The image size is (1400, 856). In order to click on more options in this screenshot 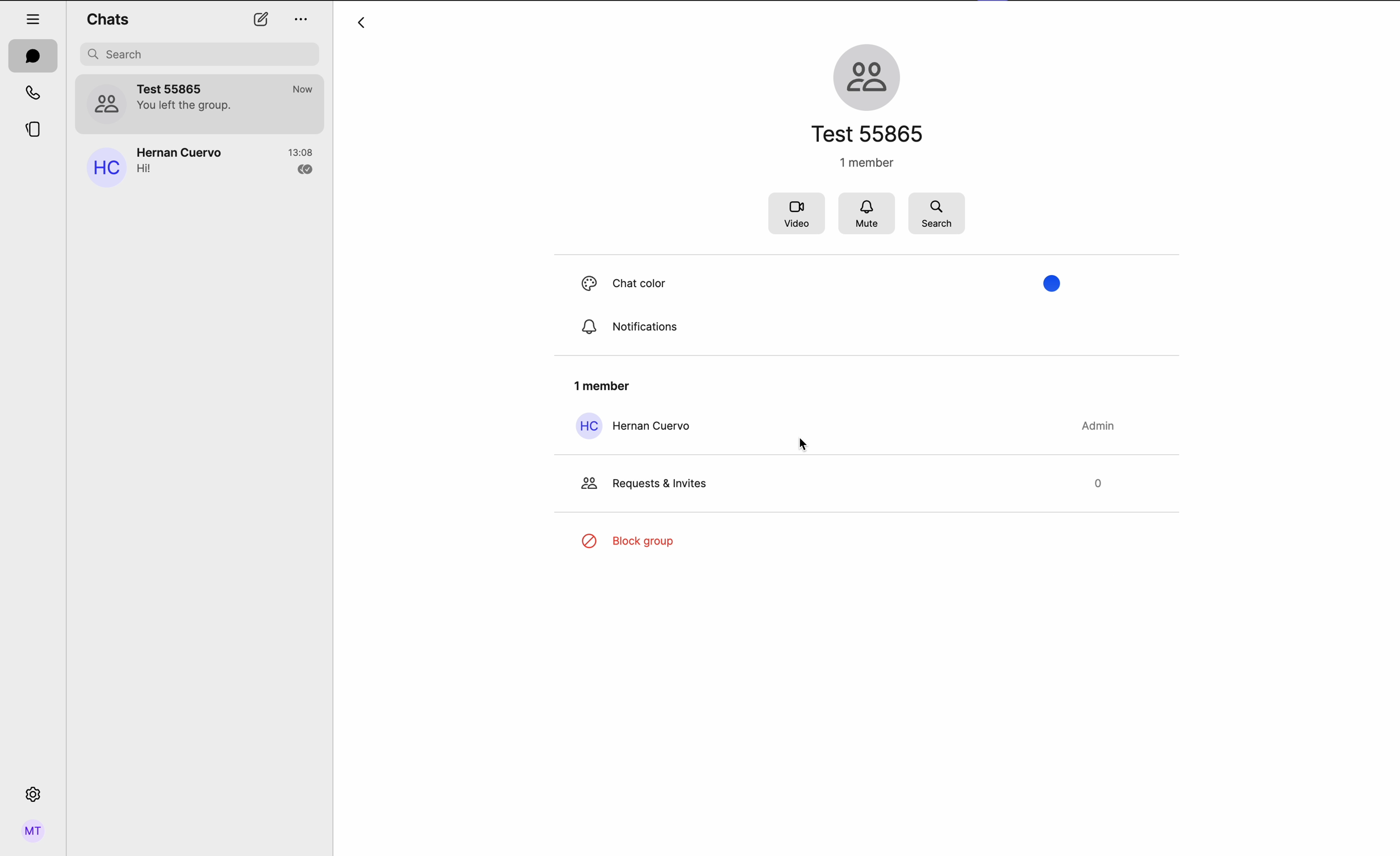, I will do `click(303, 21)`.